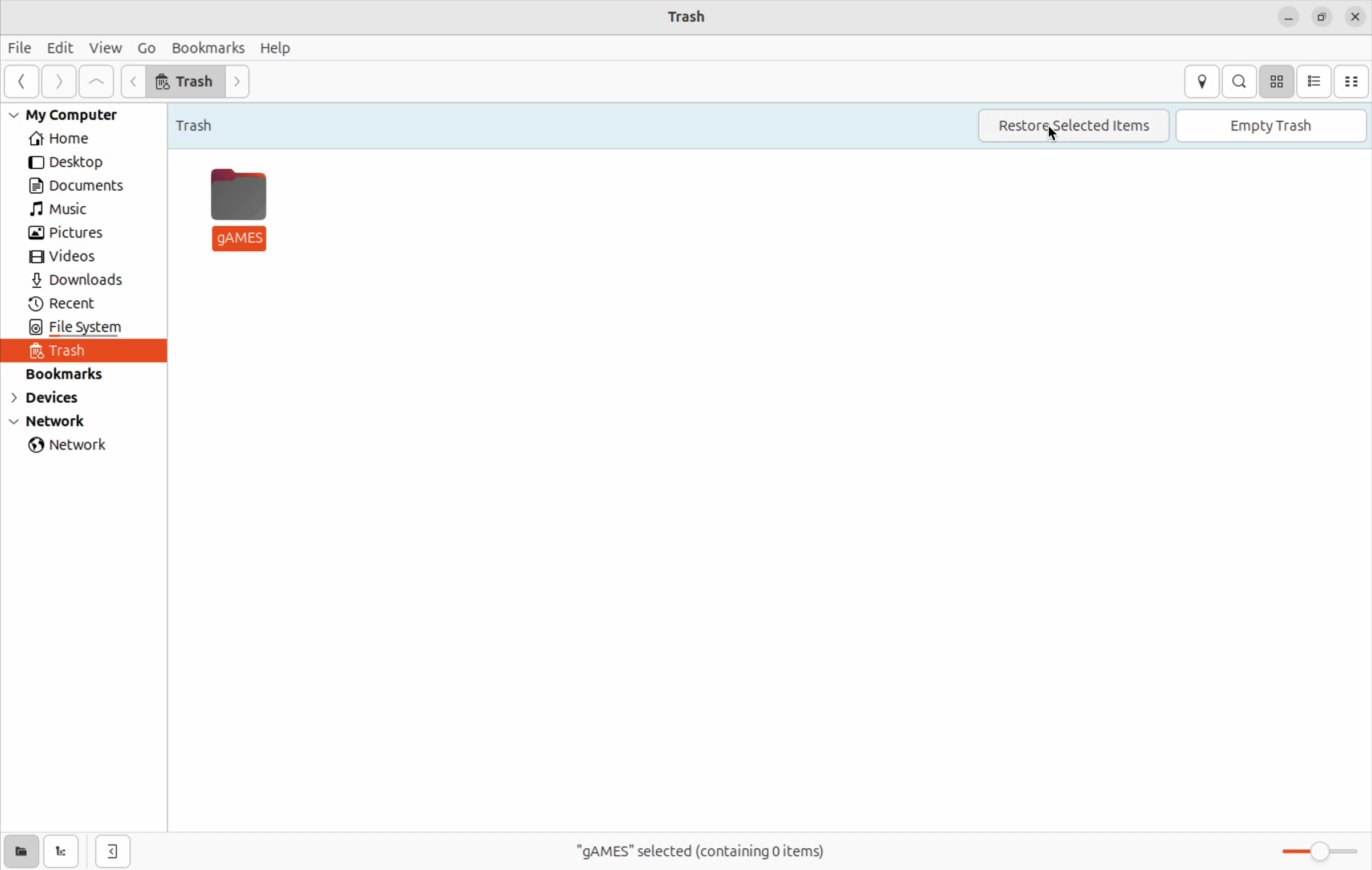 This screenshot has width=1372, height=870. What do you see at coordinates (106, 49) in the screenshot?
I see `view` at bounding box center [106, 49].